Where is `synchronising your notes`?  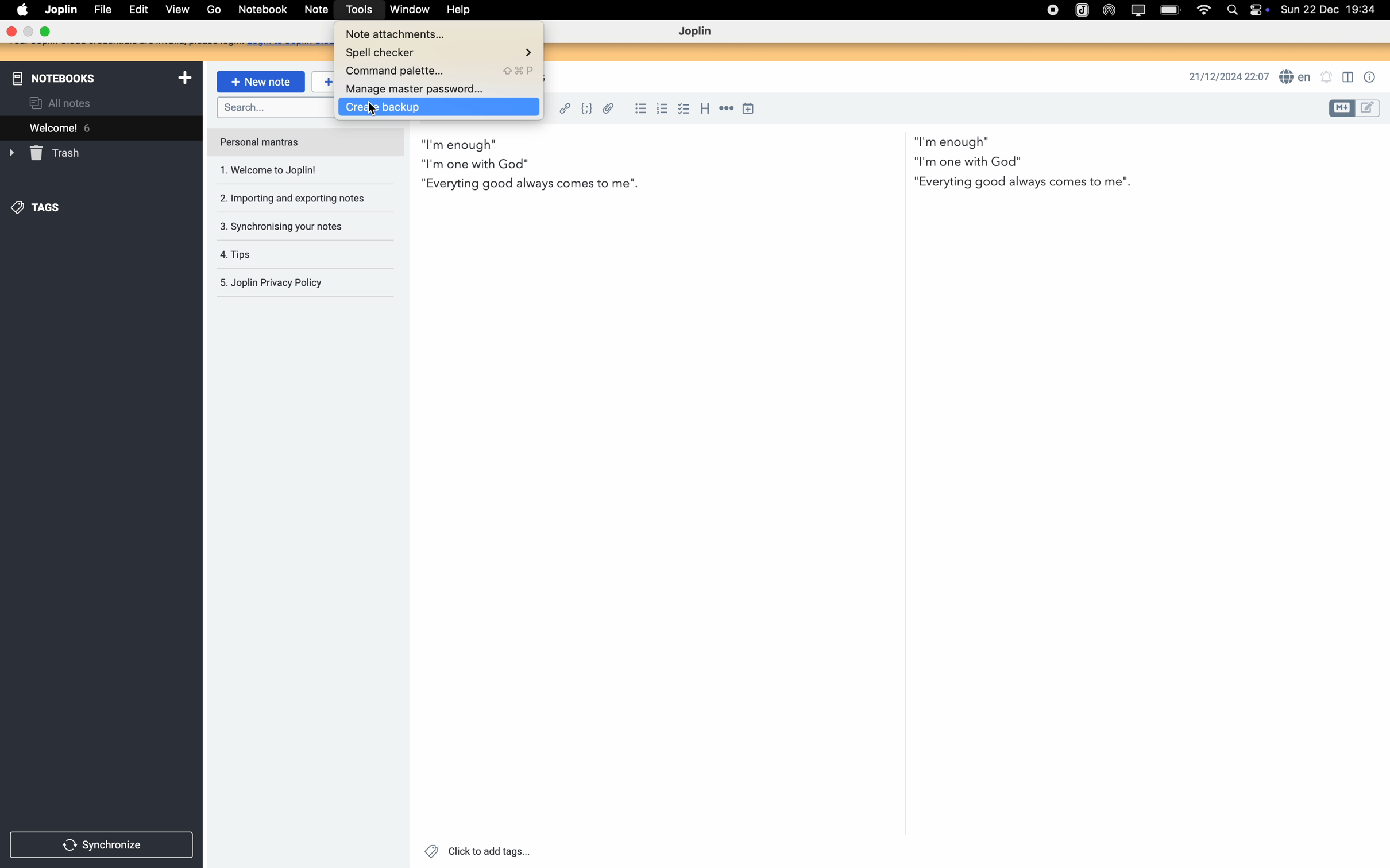 synchronising your notes is located at coordinates (278, 226).